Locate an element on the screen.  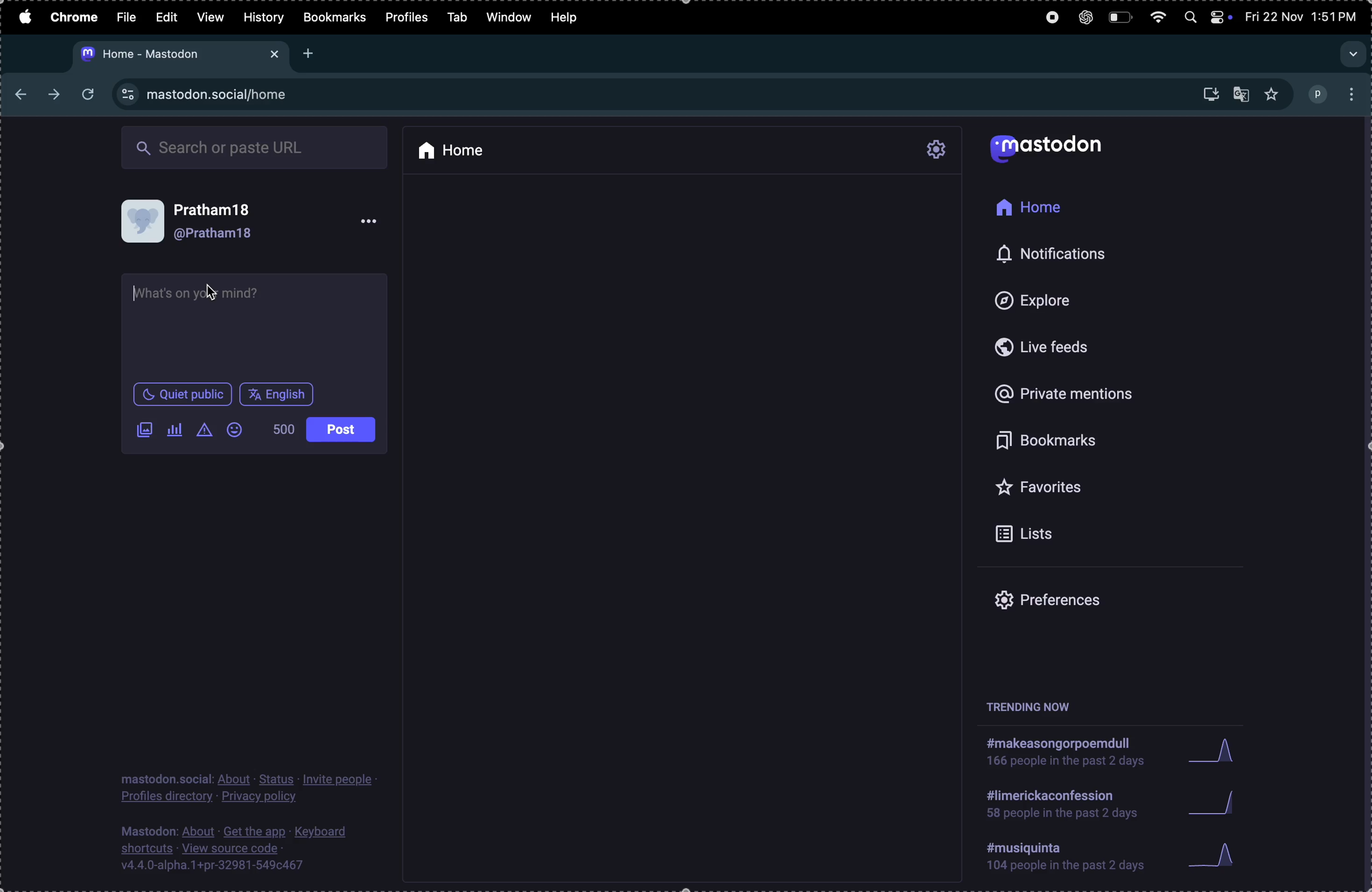
content warning is located at coordinates (202, 430).